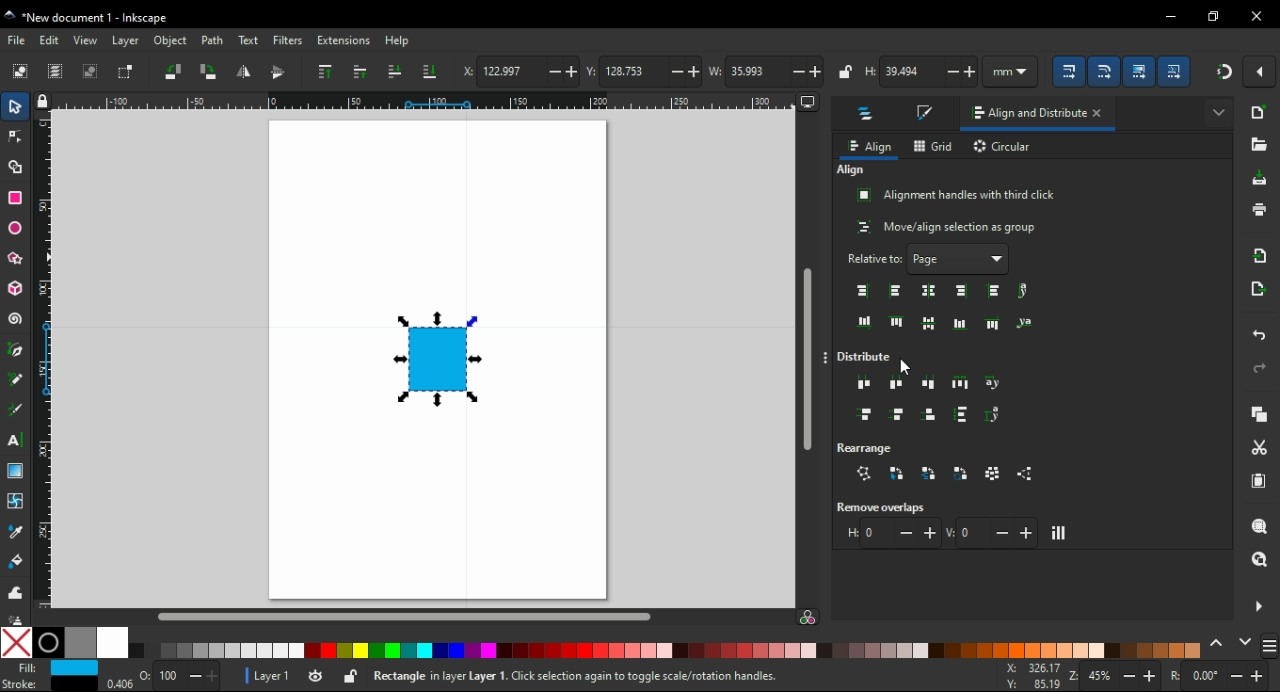 Image resolution: width=1280 pixels, height=692 pixels. What do you see at coordinates (886, 507) in the screenshot?
I see `remove overlaps` at bounding box center [886, 507].